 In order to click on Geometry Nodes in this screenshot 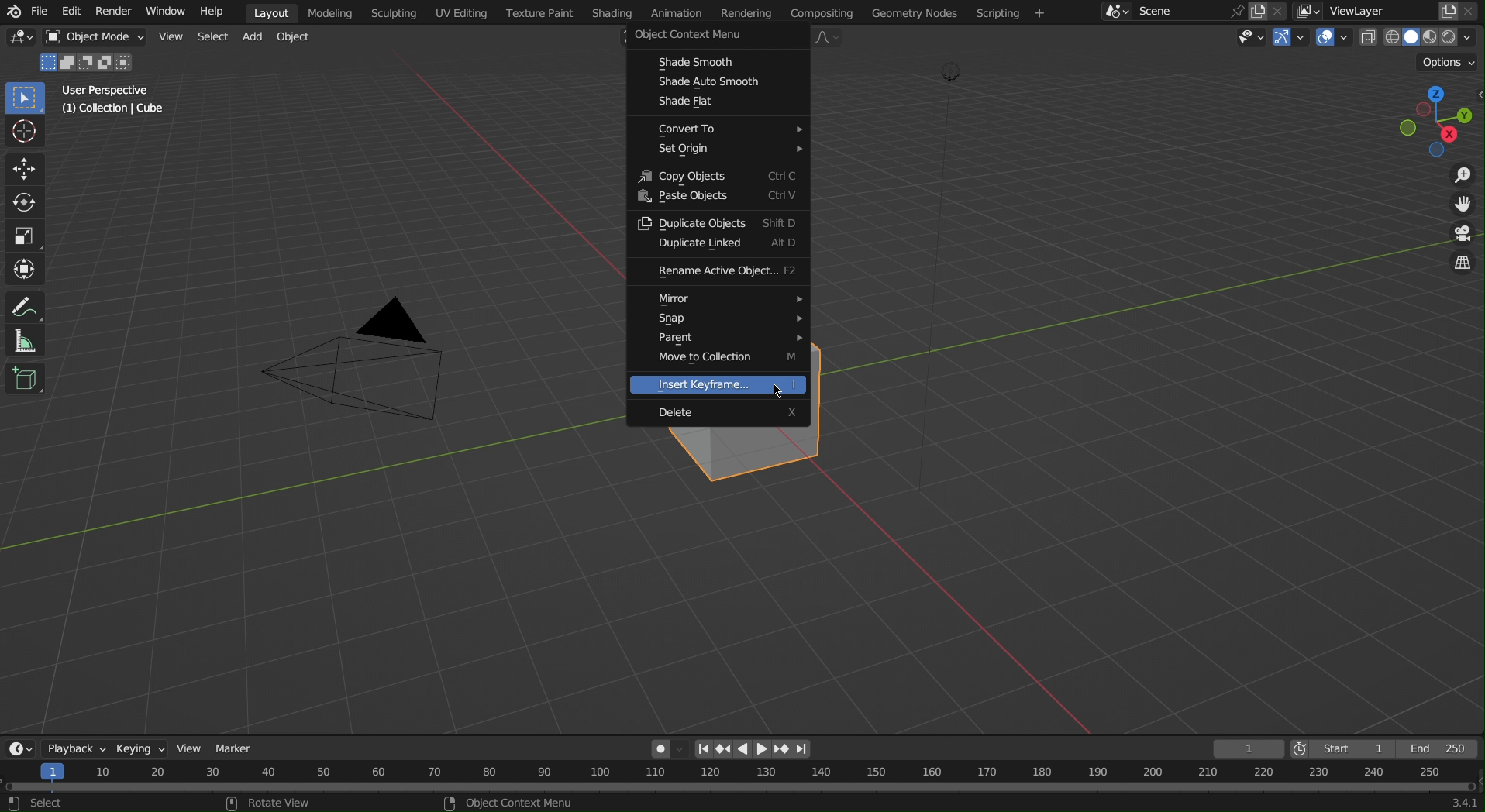, I will do `click(914, 13)`.